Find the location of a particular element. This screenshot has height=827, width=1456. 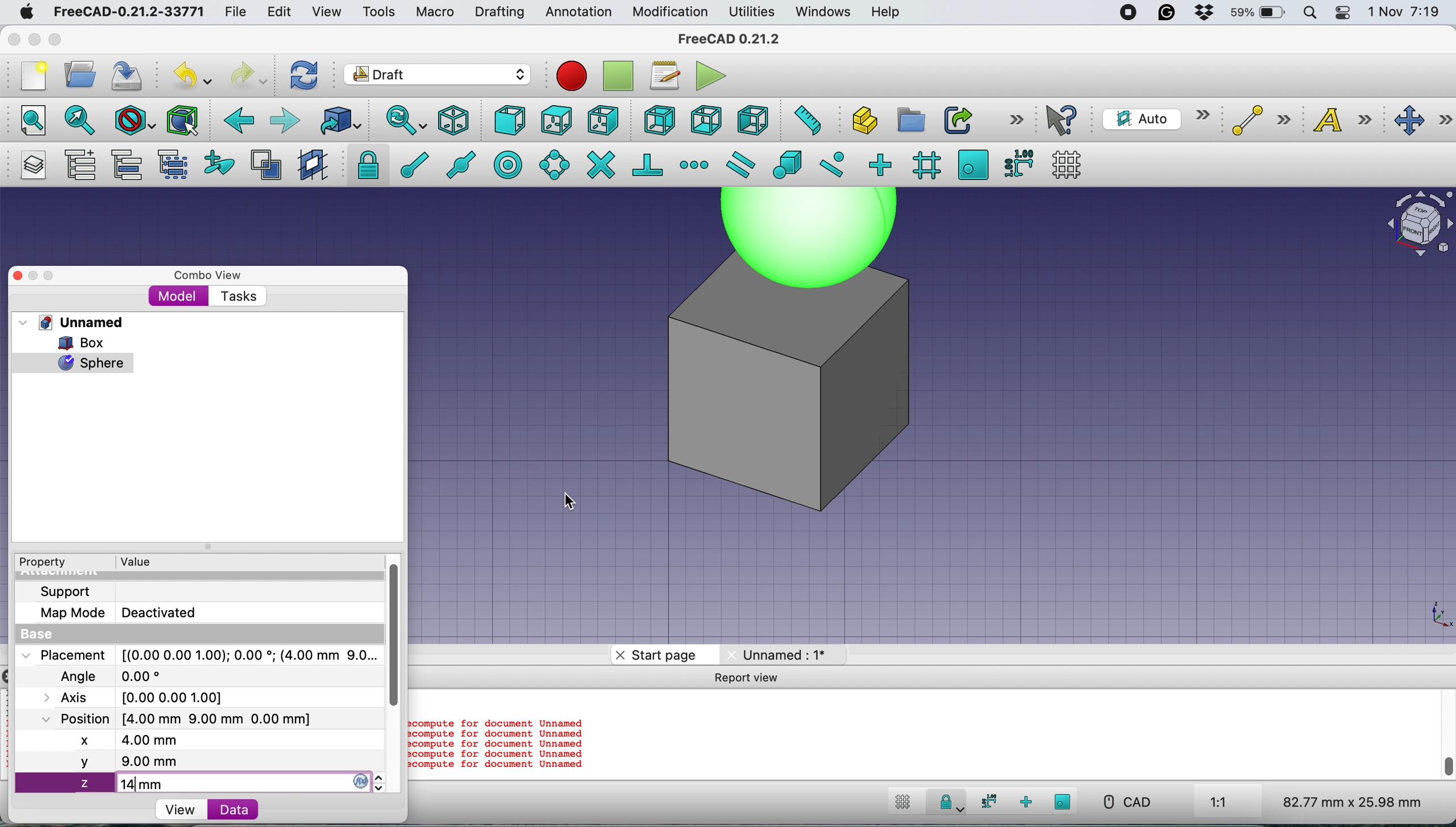

snap extension is located at coordinates (696, 165).